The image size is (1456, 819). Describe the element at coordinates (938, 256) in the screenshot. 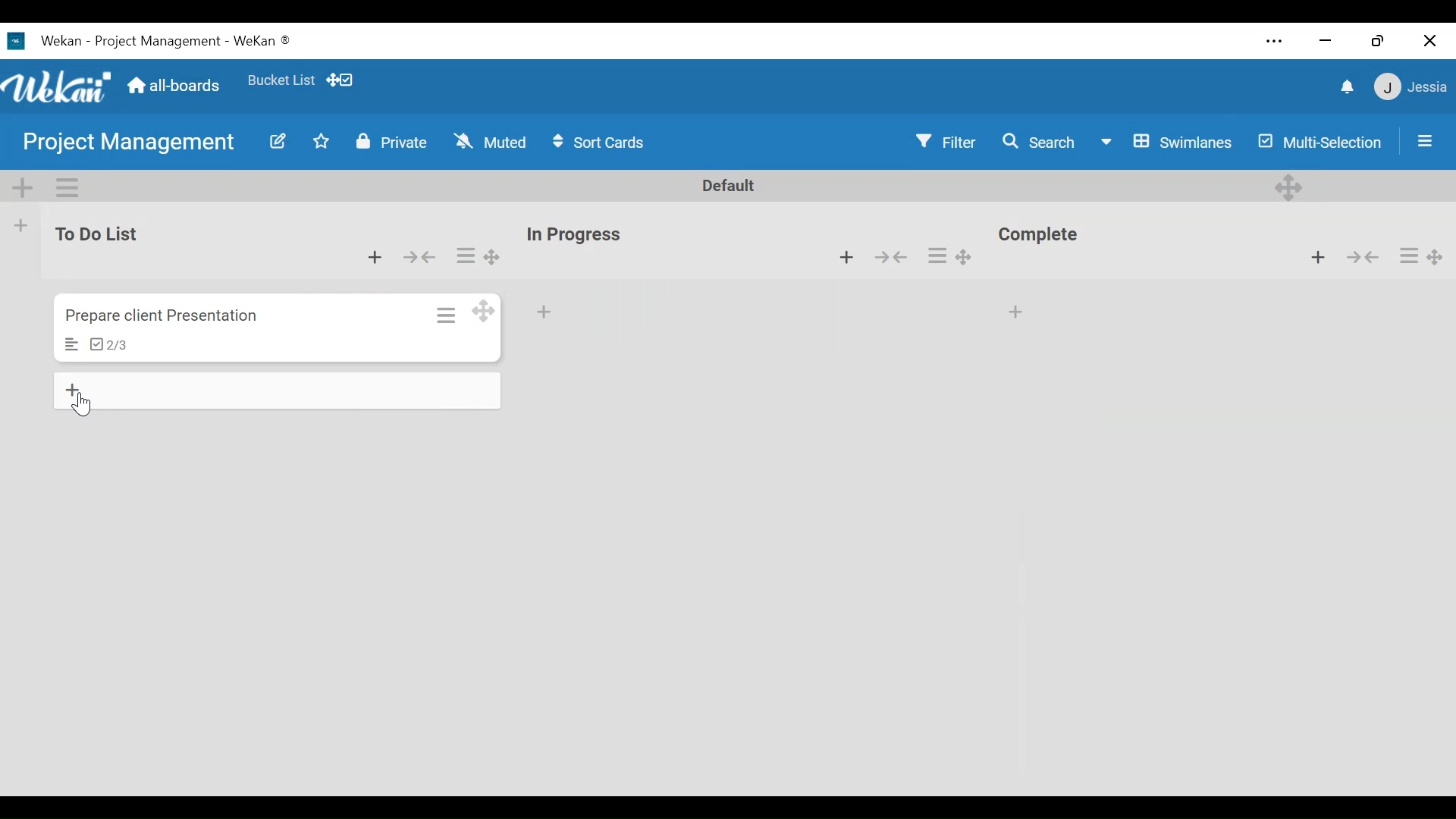

I see `Card actions` at that location.